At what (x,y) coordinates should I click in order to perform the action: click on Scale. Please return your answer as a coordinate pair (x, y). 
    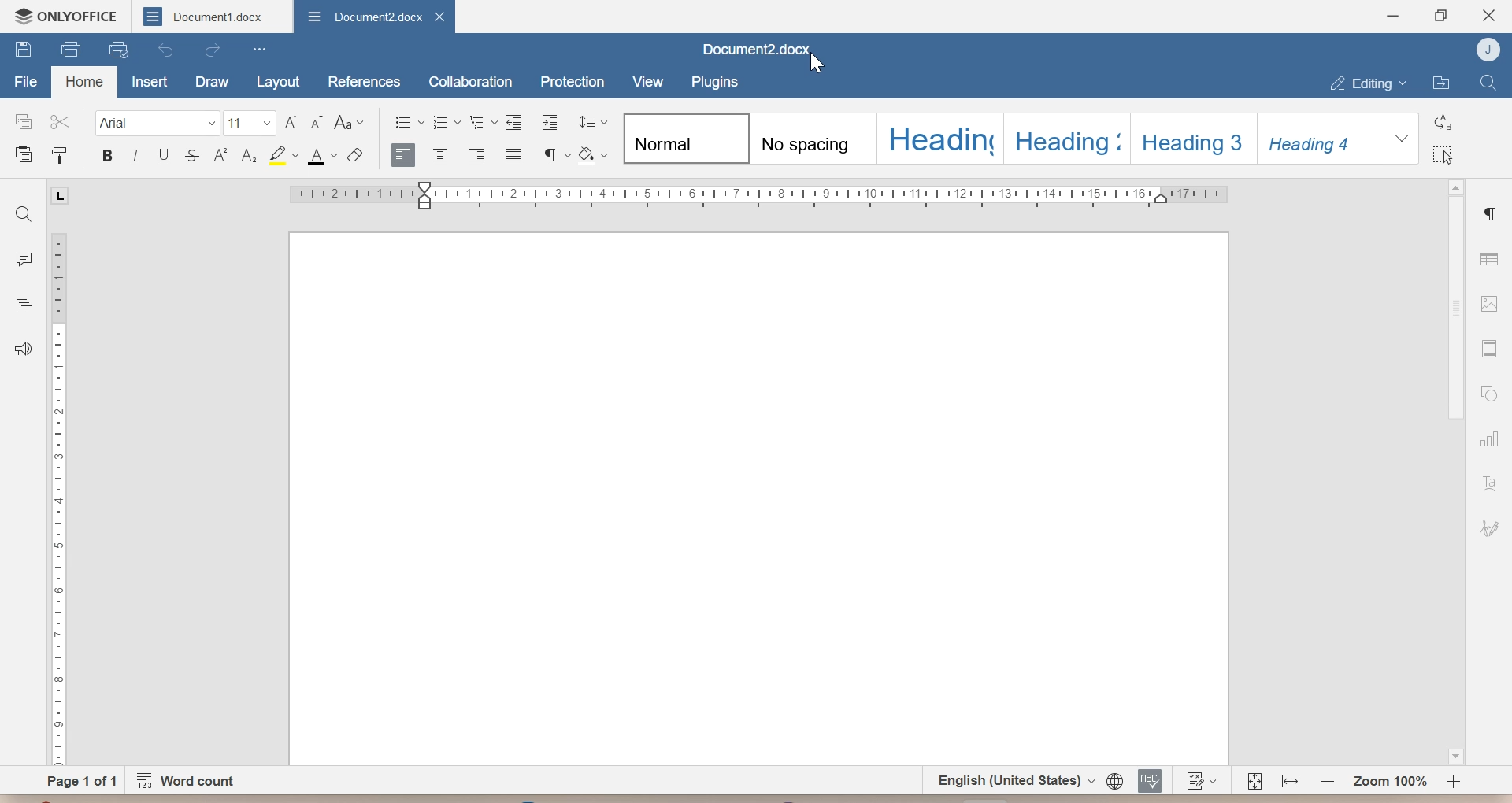
    Looking at the image, I should click on (758, 195).